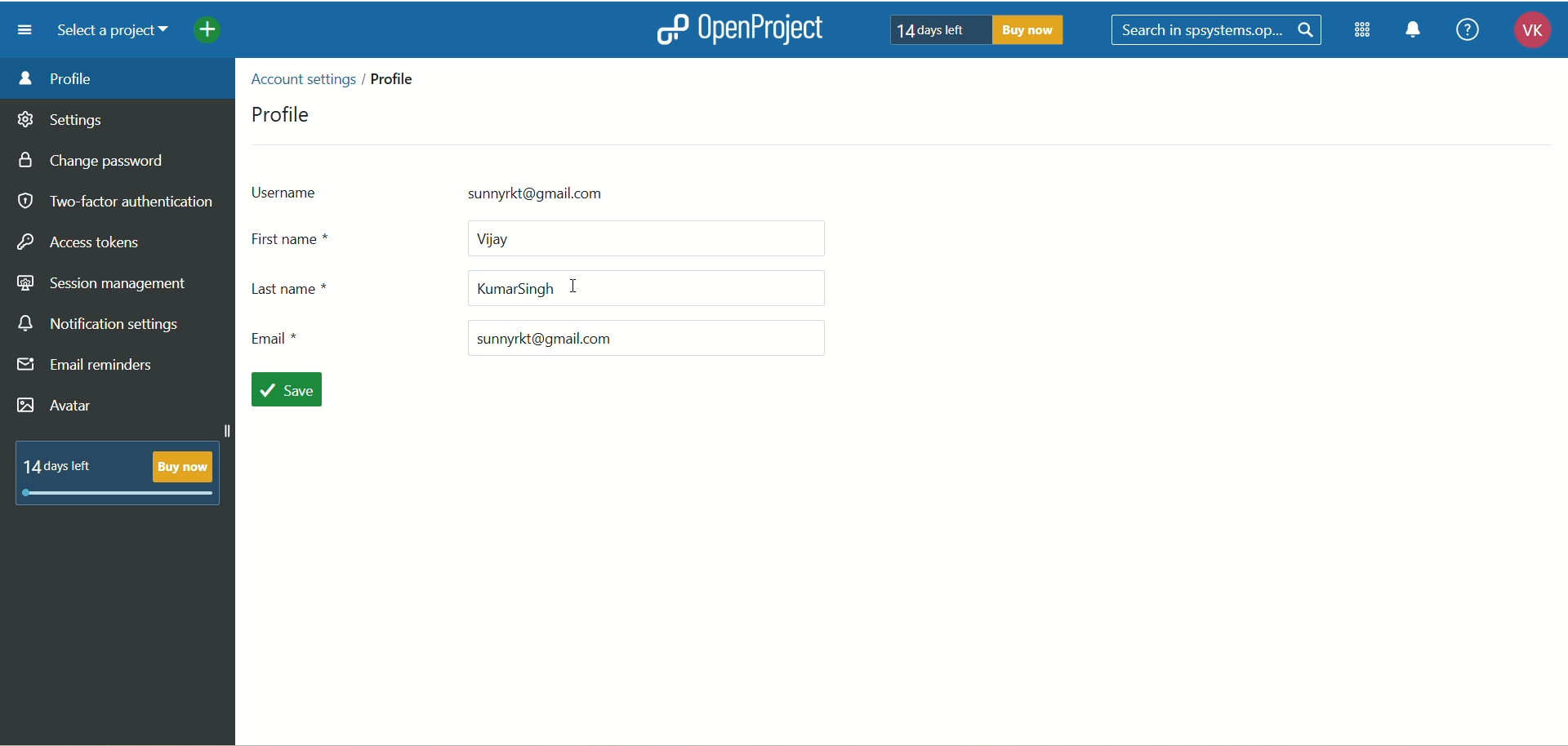 The height and width of the screenshot is (746, 1568). Describe the element at coordinates (292, 391) in the screenshot. I see `save` at that location.